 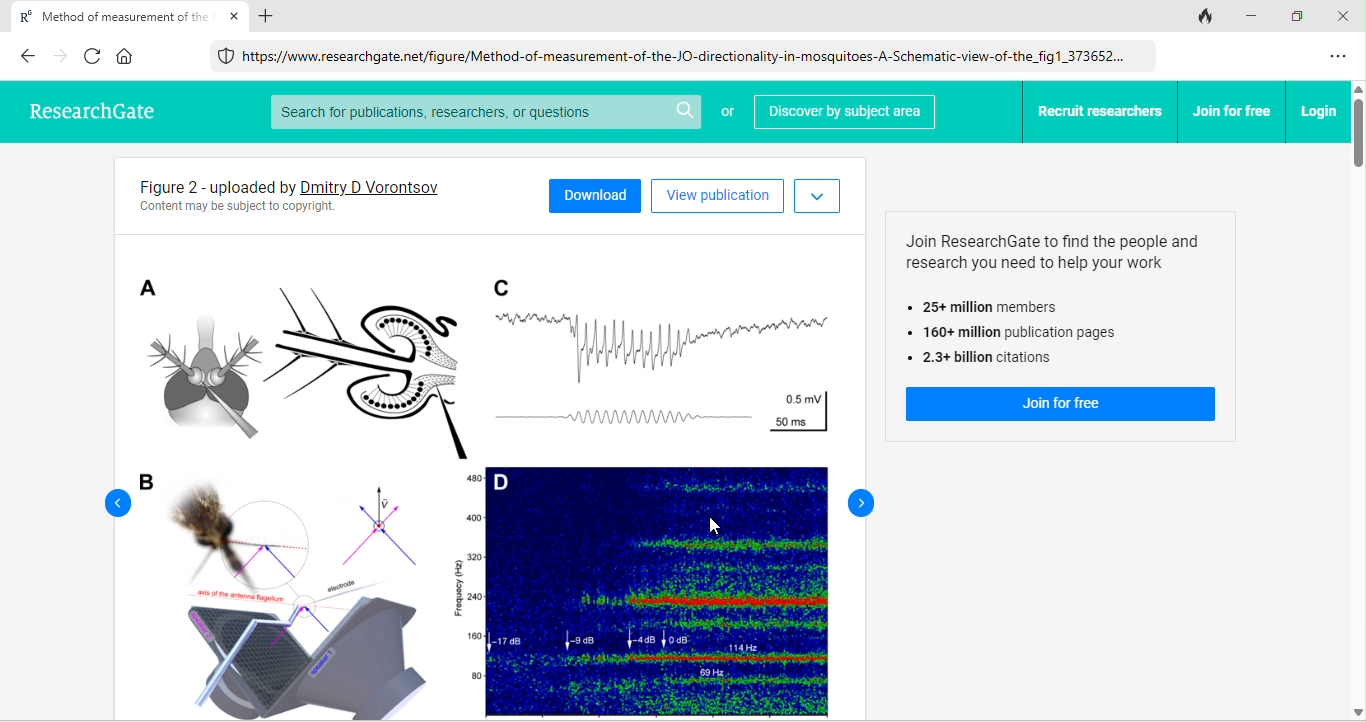 What do you see at coordinates (235, 16) in the screenshot?
I see `close` at bounding box center [235, 16].